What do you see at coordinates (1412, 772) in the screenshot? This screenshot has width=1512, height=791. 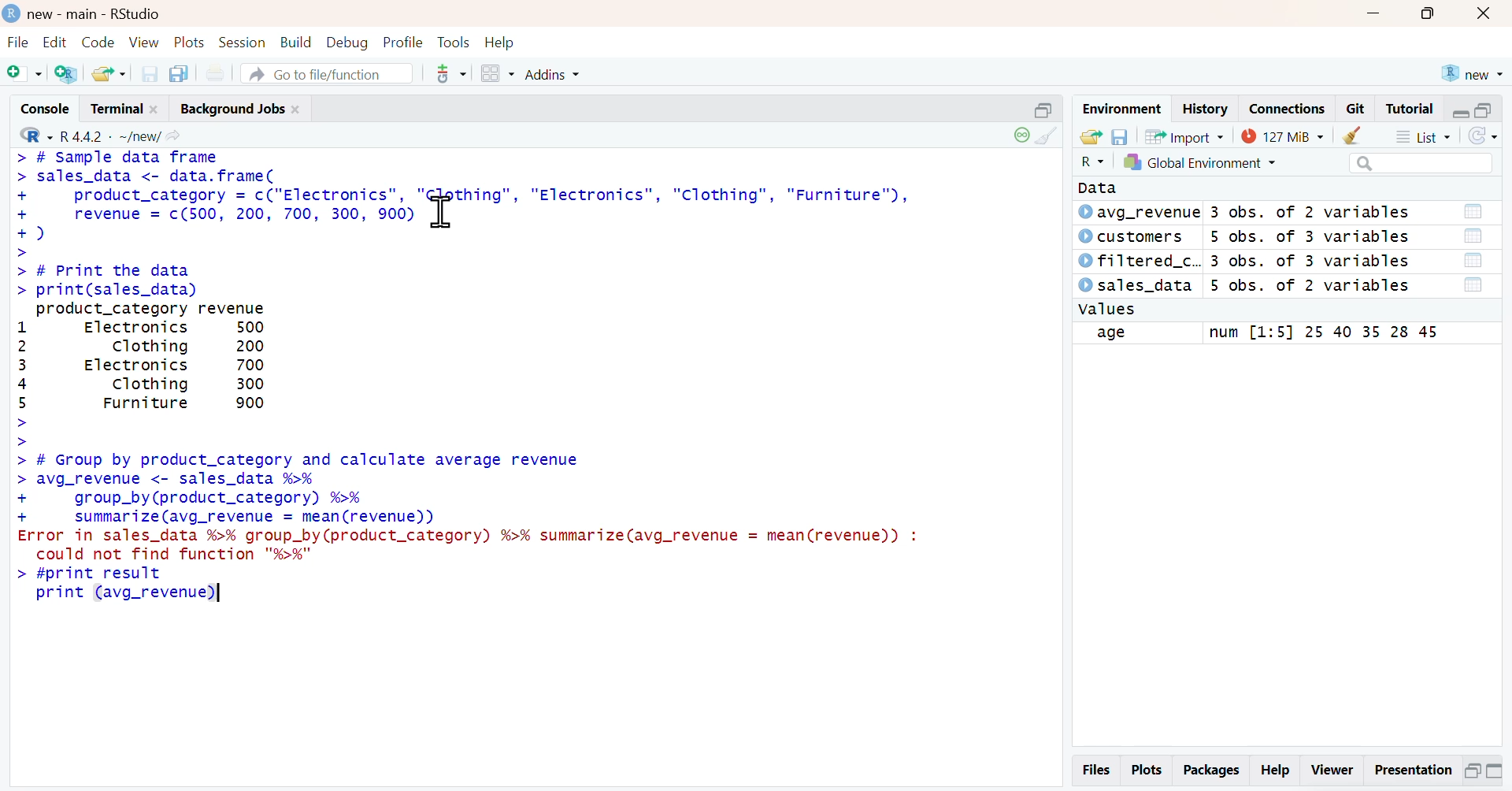 I see `Presentation` at bounding box center [1412, 772].